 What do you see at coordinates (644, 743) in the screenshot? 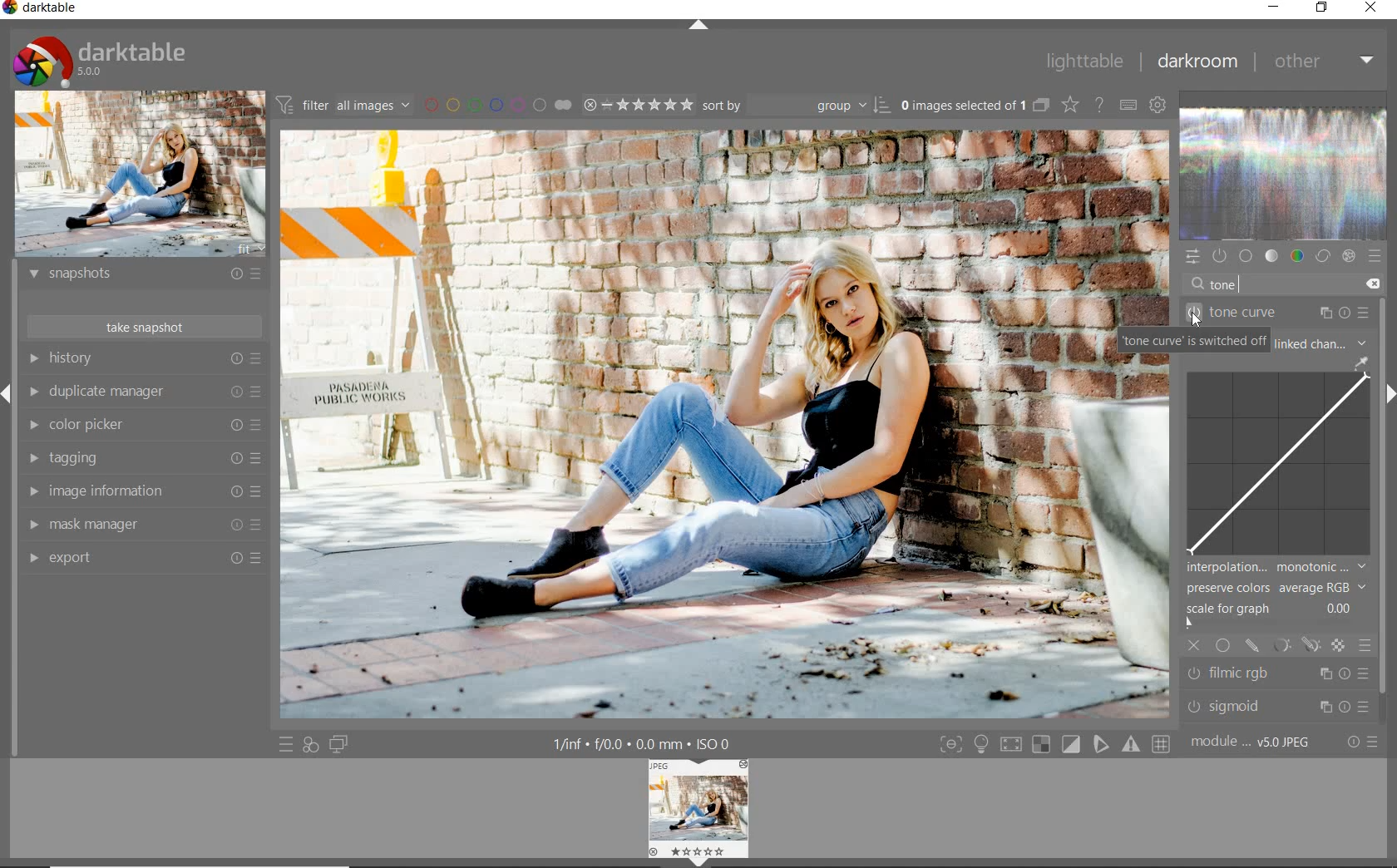
I see `other display information` at bounding box center [644, 743].